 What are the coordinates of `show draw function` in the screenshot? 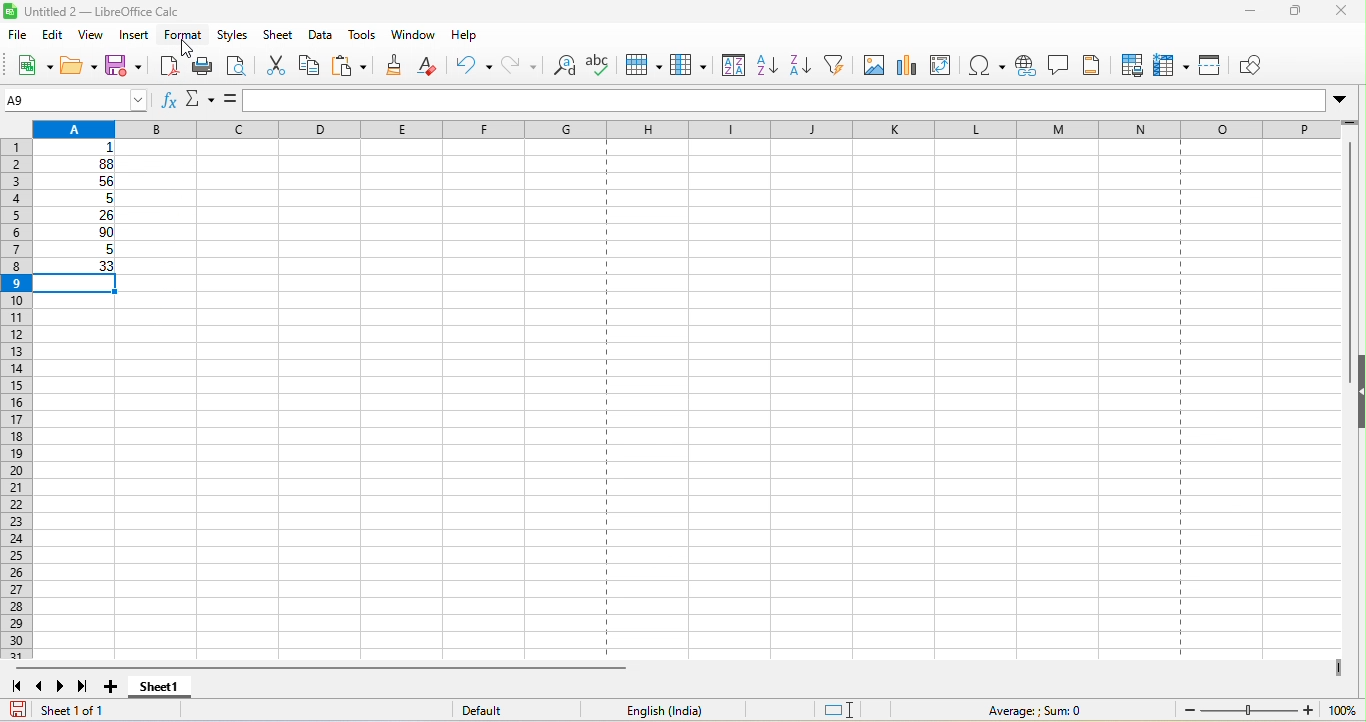 It's located at (1255, 67).